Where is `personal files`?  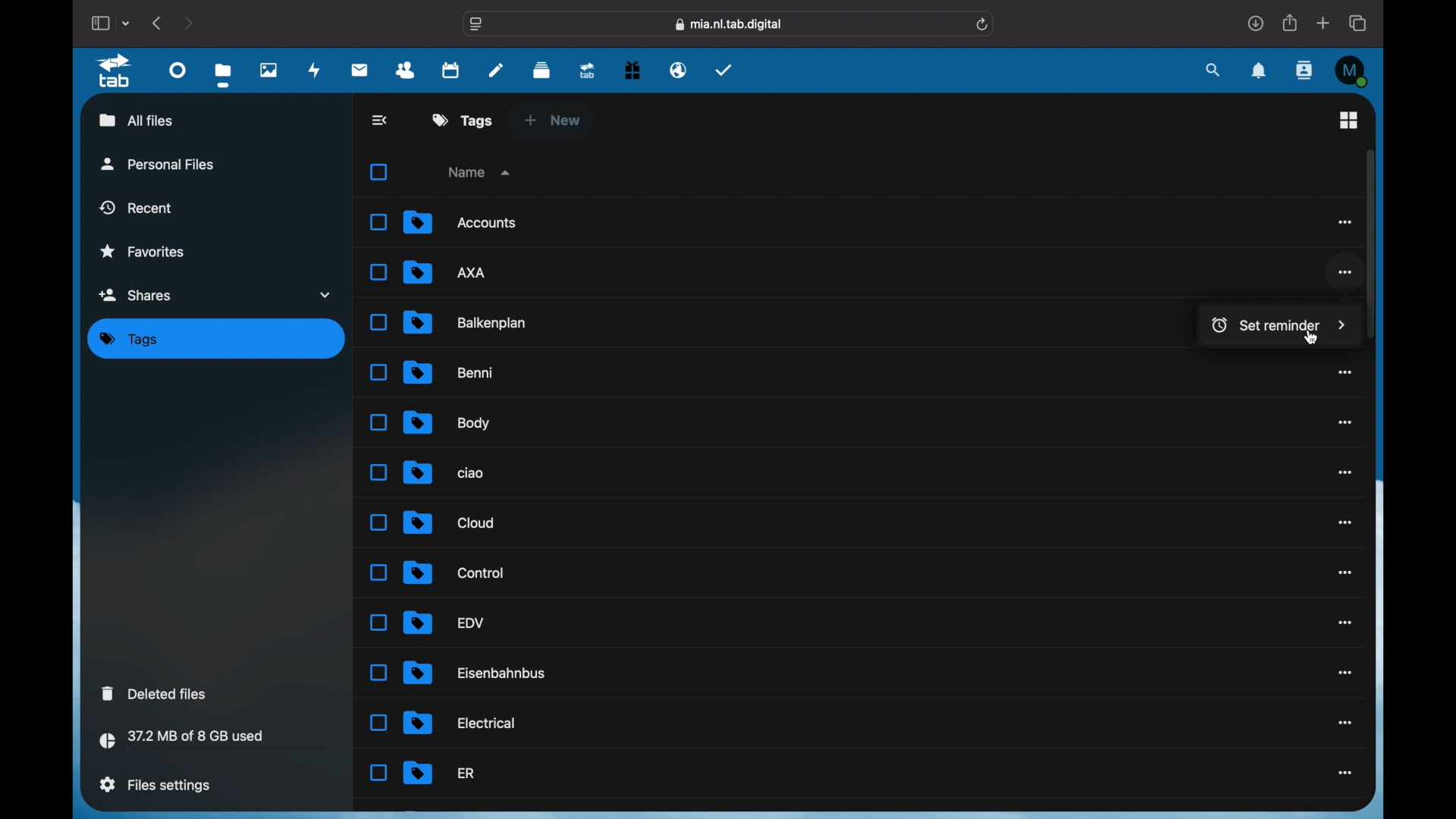
personal files is located at coordinates (158, 163).